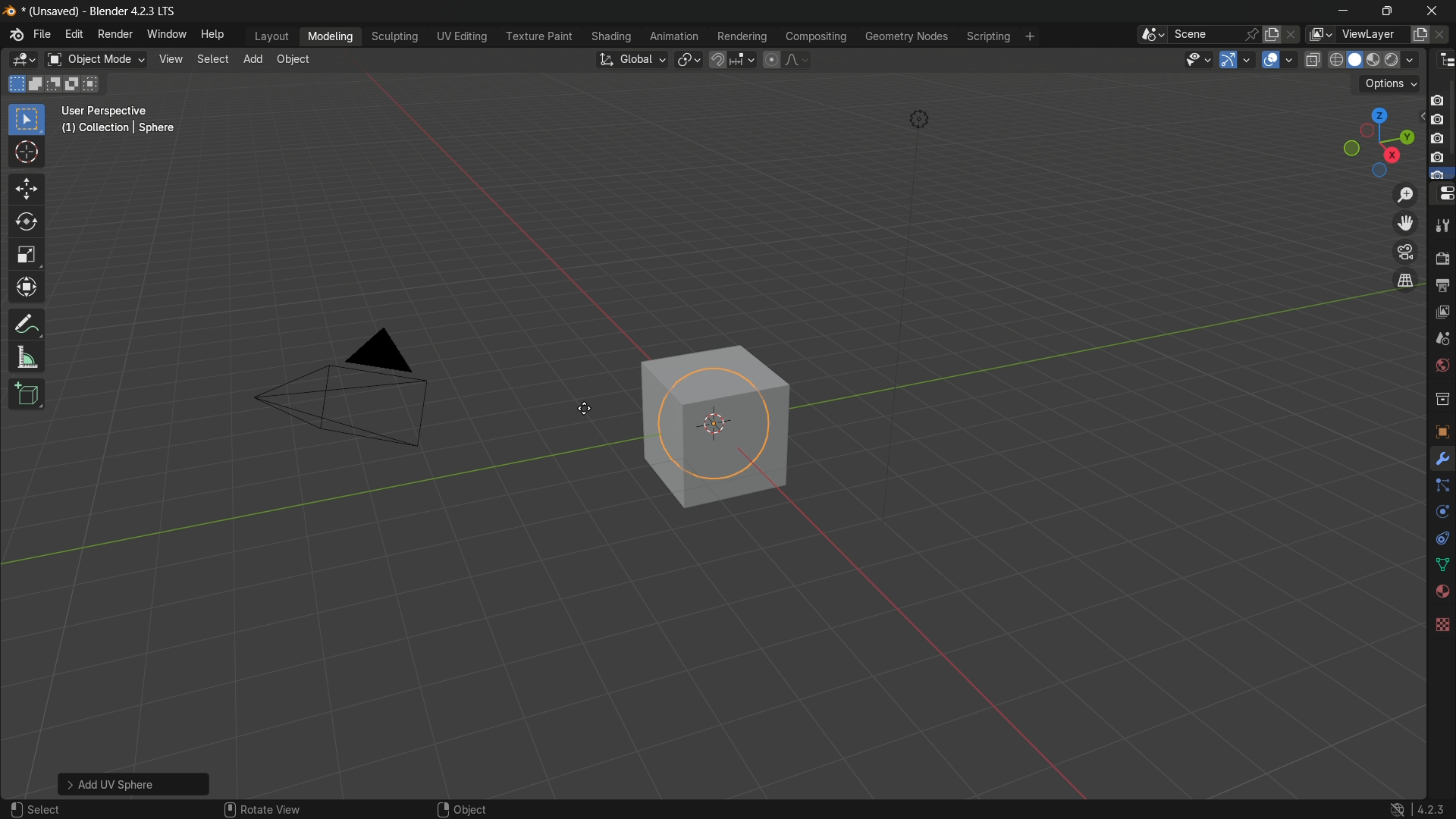  Describe the element at coordinates (28, 359) in the screenshot. I see `measure` at that location.